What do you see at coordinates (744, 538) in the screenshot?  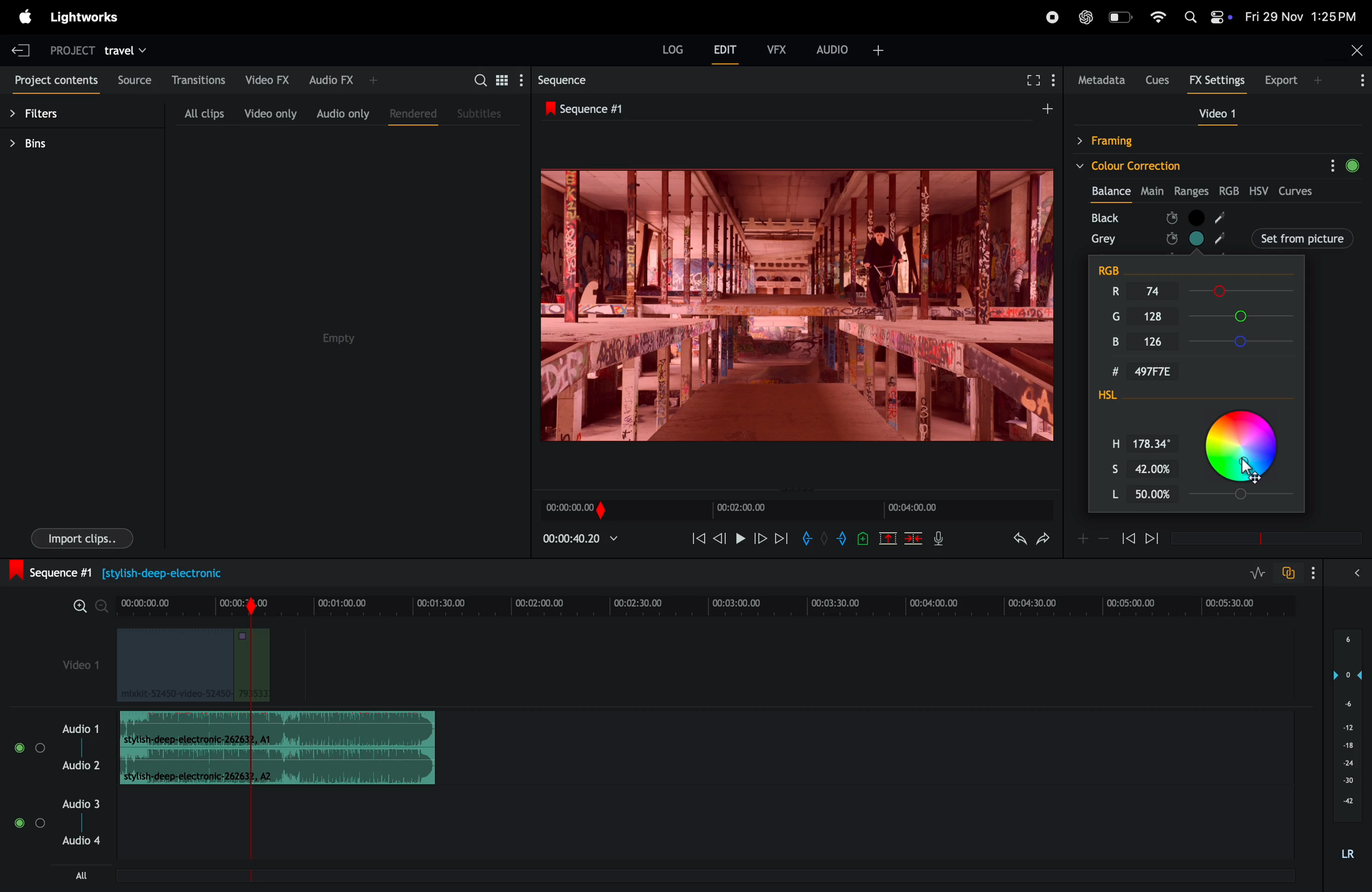 I see `pause and play` at bounding box center [744, 538].